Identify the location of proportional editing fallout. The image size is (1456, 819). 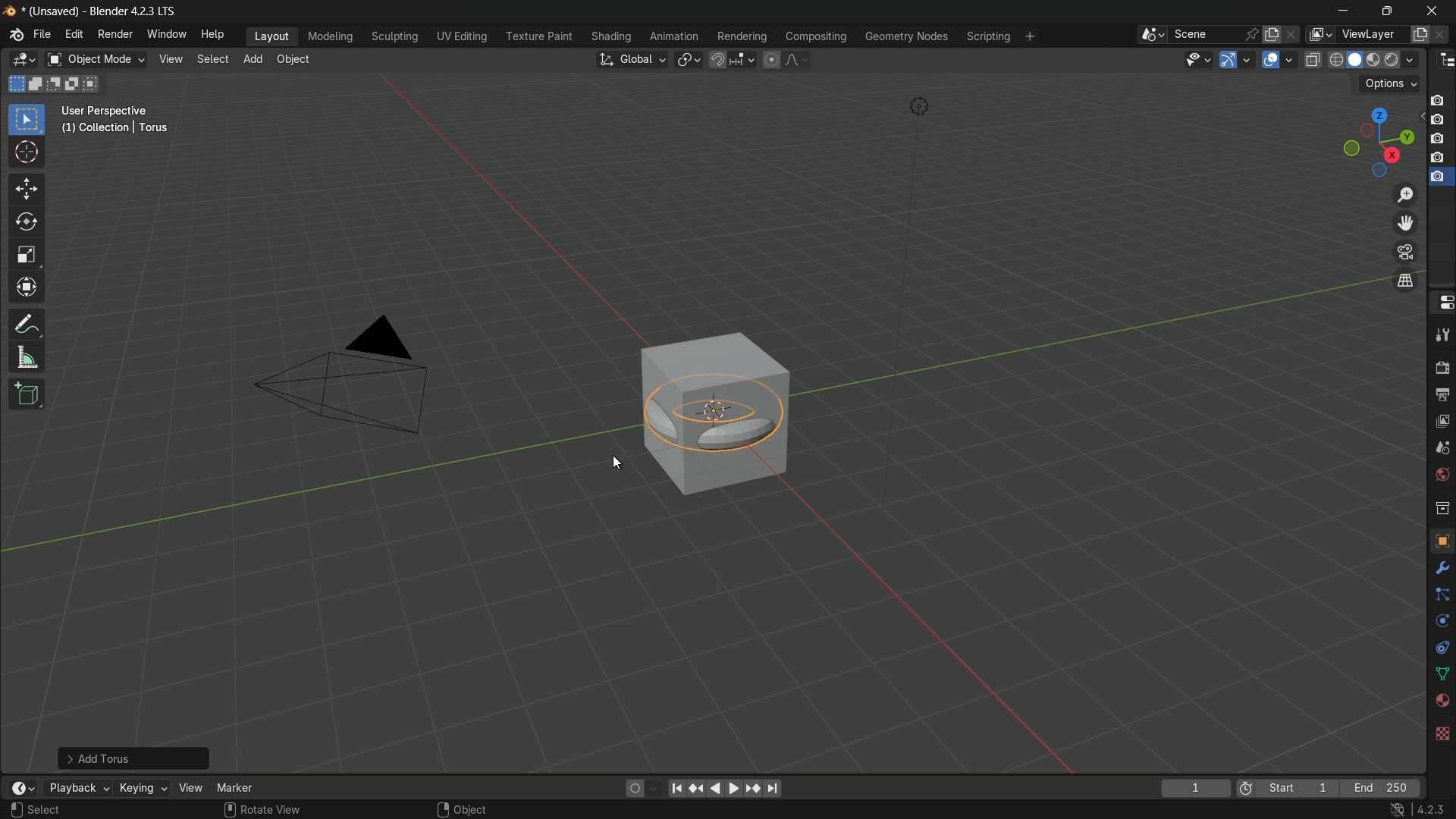
(794, 59).